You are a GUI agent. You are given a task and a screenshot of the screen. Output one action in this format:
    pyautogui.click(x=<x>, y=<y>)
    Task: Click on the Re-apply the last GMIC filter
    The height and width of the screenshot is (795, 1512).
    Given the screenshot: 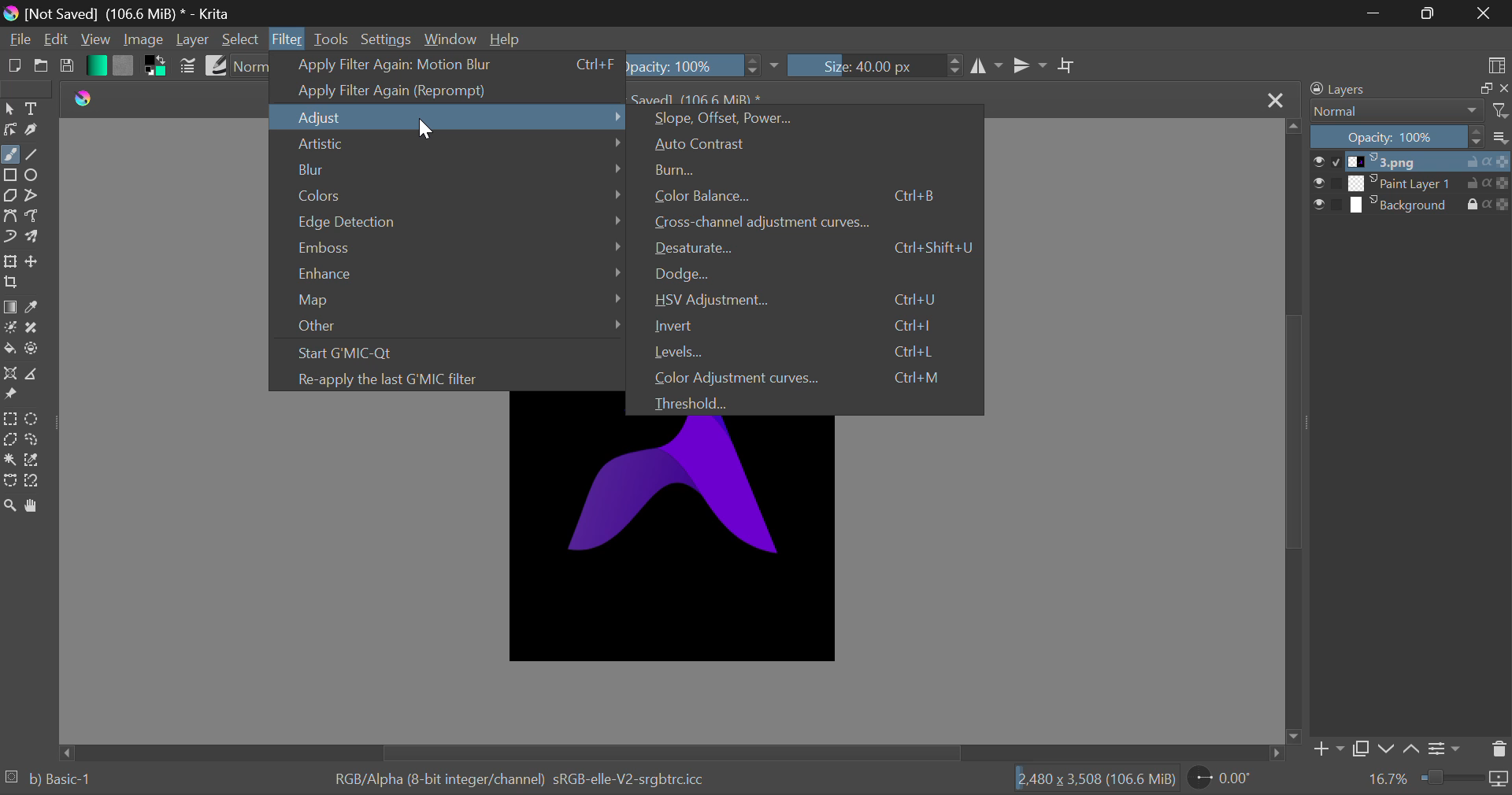 What is the action you would take?
    pyautogui.click(x=458, y=379)
    